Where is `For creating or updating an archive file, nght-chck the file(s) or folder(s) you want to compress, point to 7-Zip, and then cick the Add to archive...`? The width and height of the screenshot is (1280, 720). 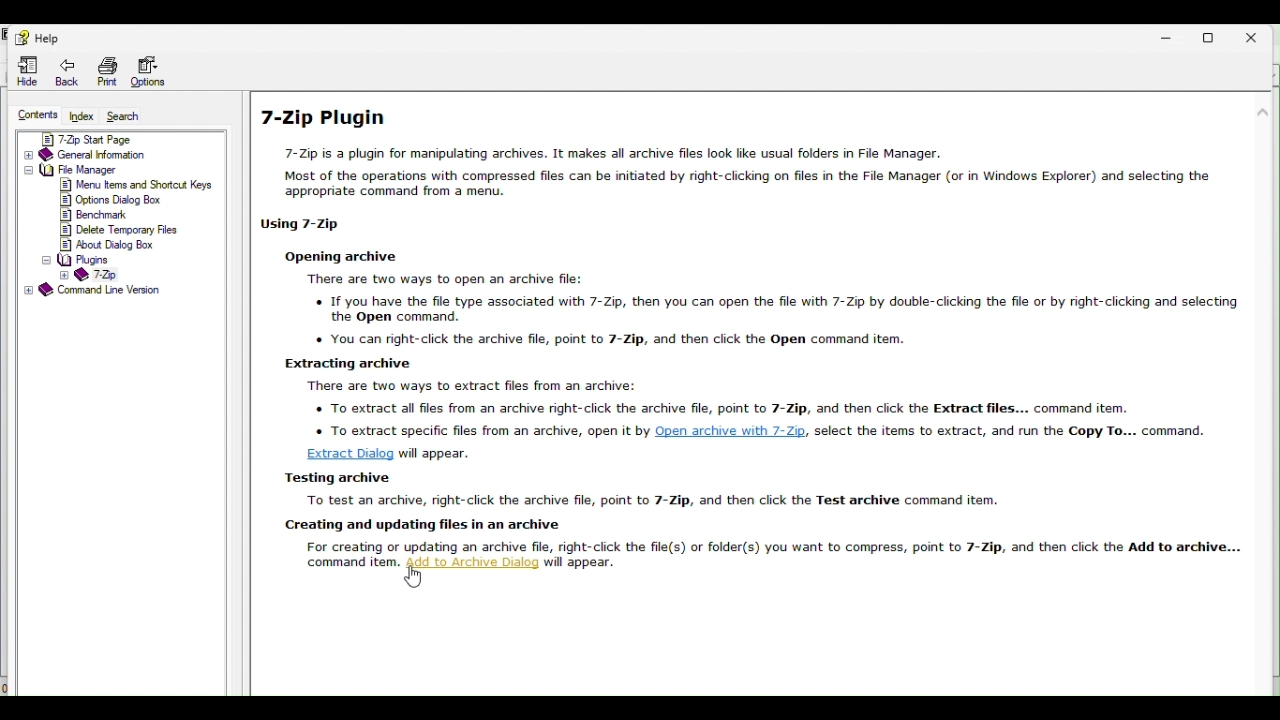
For creating or updating an archive file, nght-chck the file(s) or folder(s) you want to compress, point to 7-Zip, and then cick the Add to archive... is located at coordinates (775, 546).